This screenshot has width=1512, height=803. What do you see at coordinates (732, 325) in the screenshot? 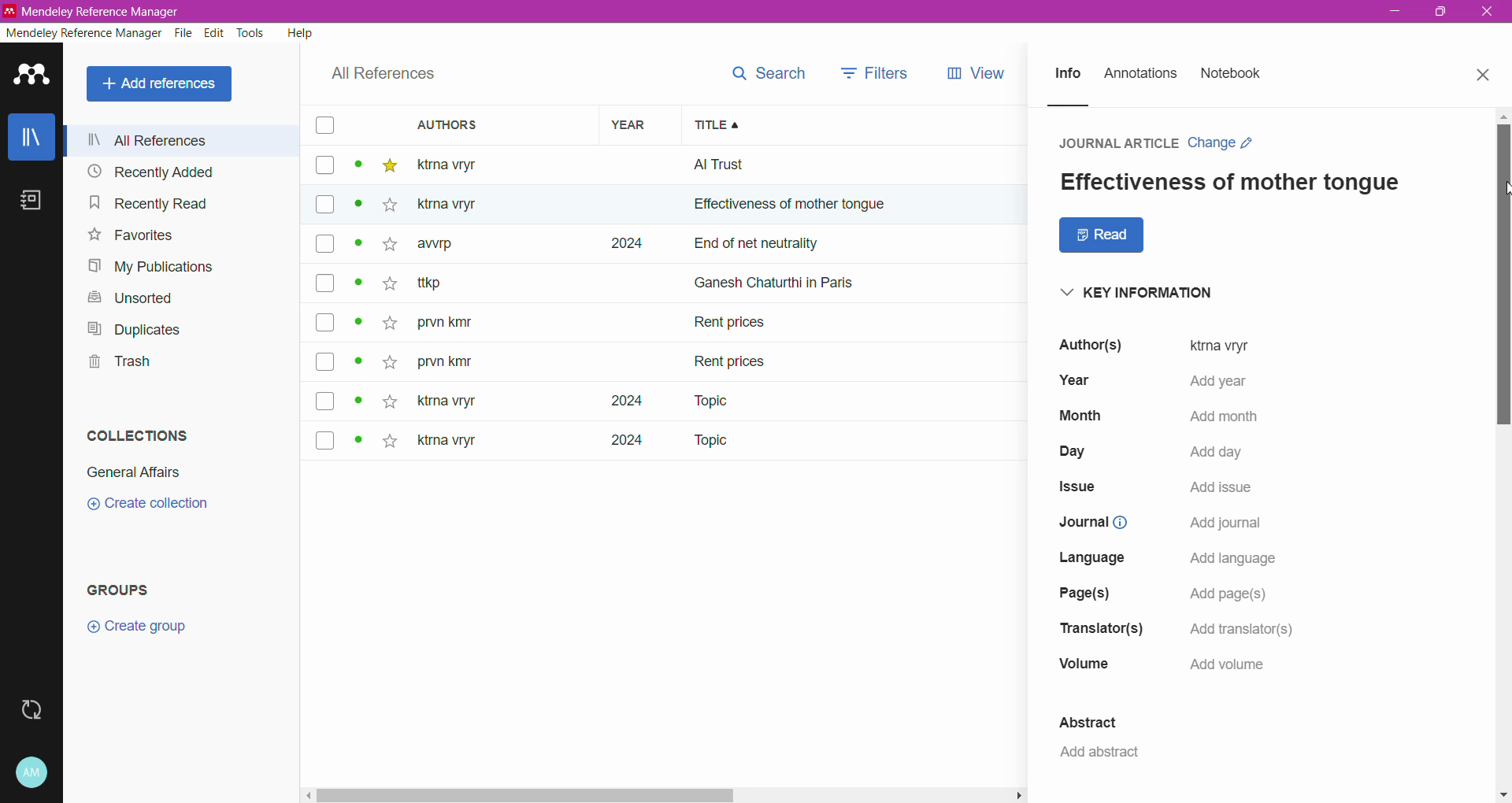
I see `Rent prices` at bounding box center [732, 325].